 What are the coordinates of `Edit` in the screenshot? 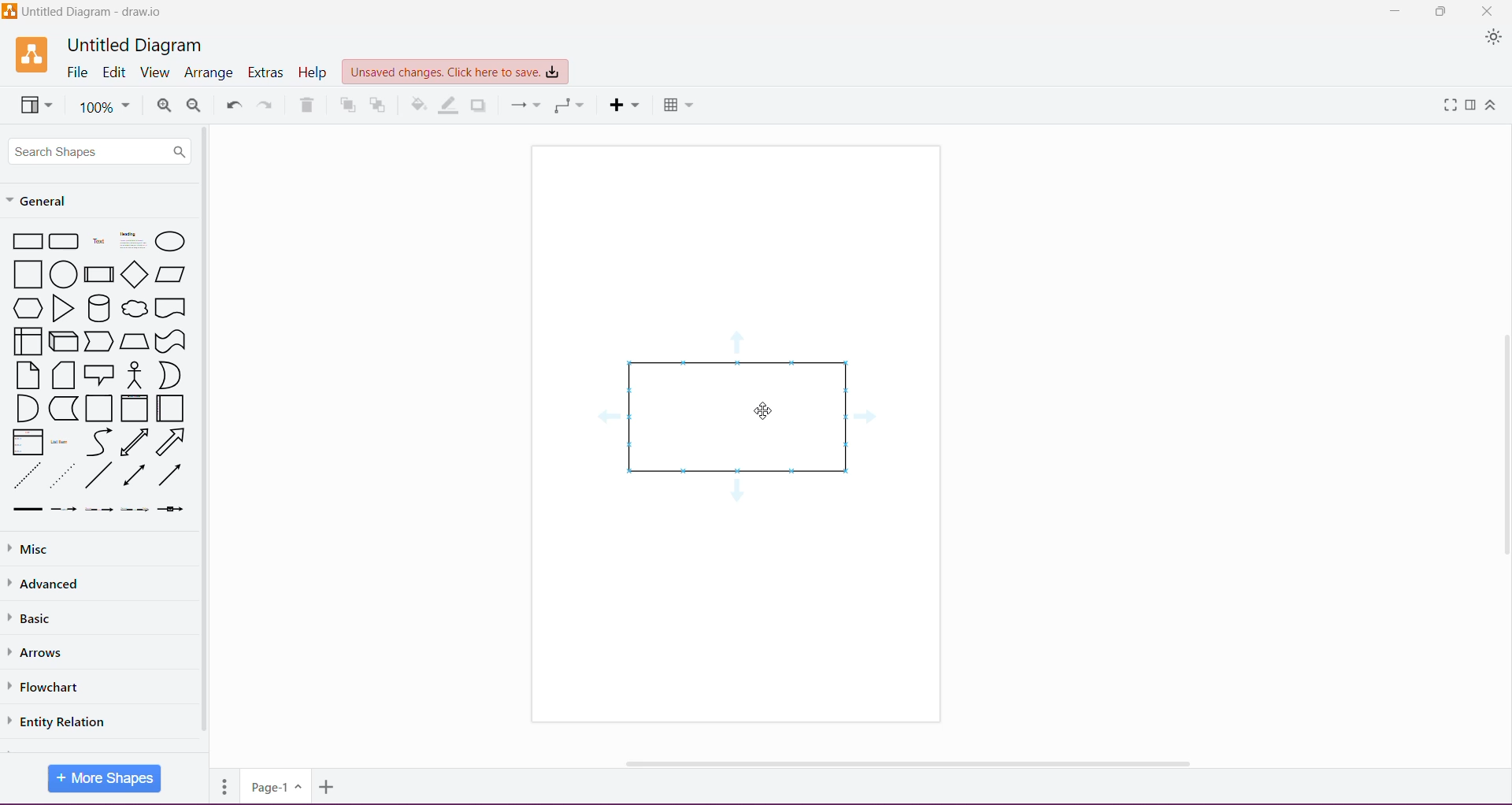 It's located at (114, 72).